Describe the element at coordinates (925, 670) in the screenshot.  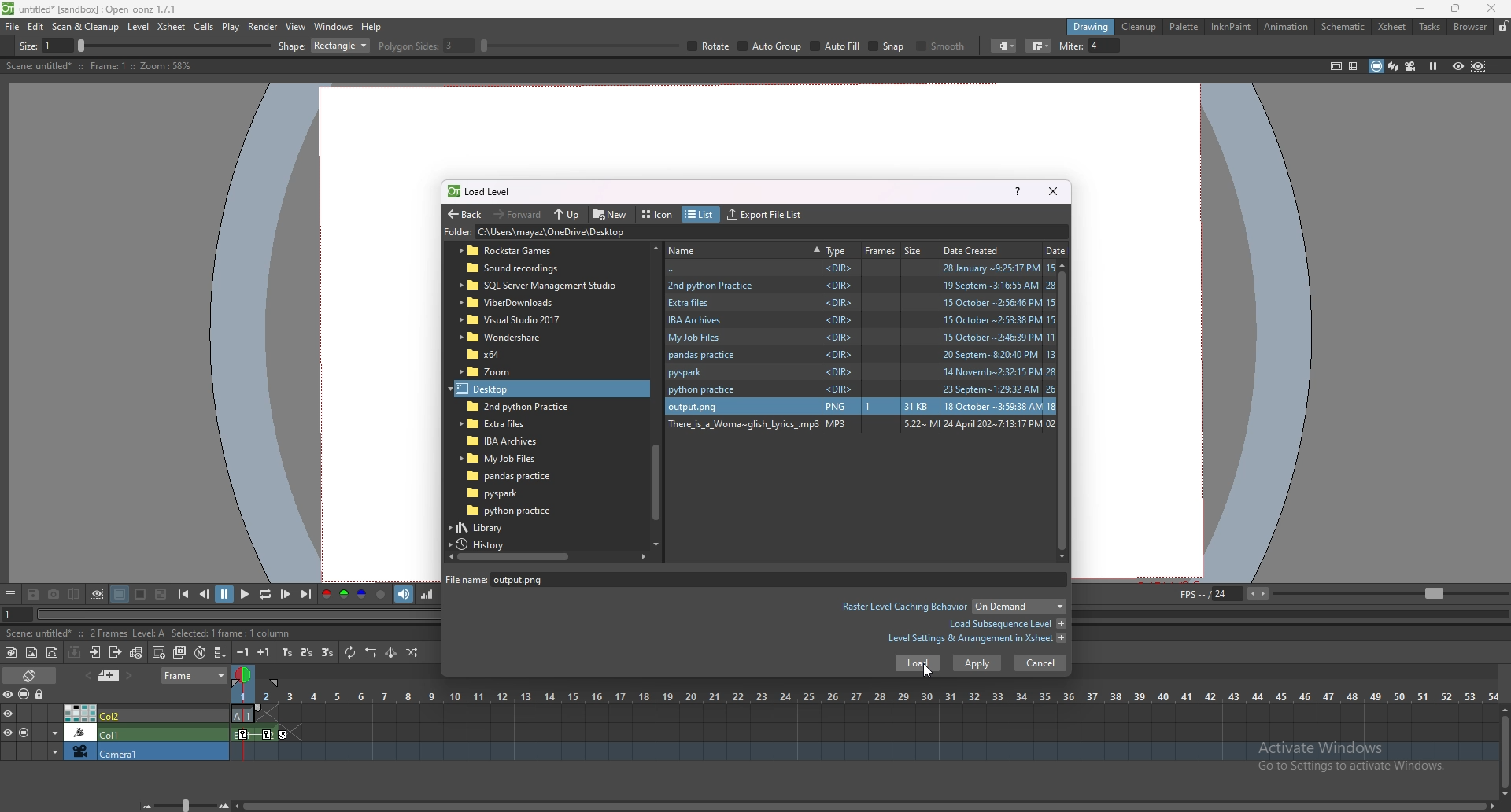
I see `cursor` at that location.